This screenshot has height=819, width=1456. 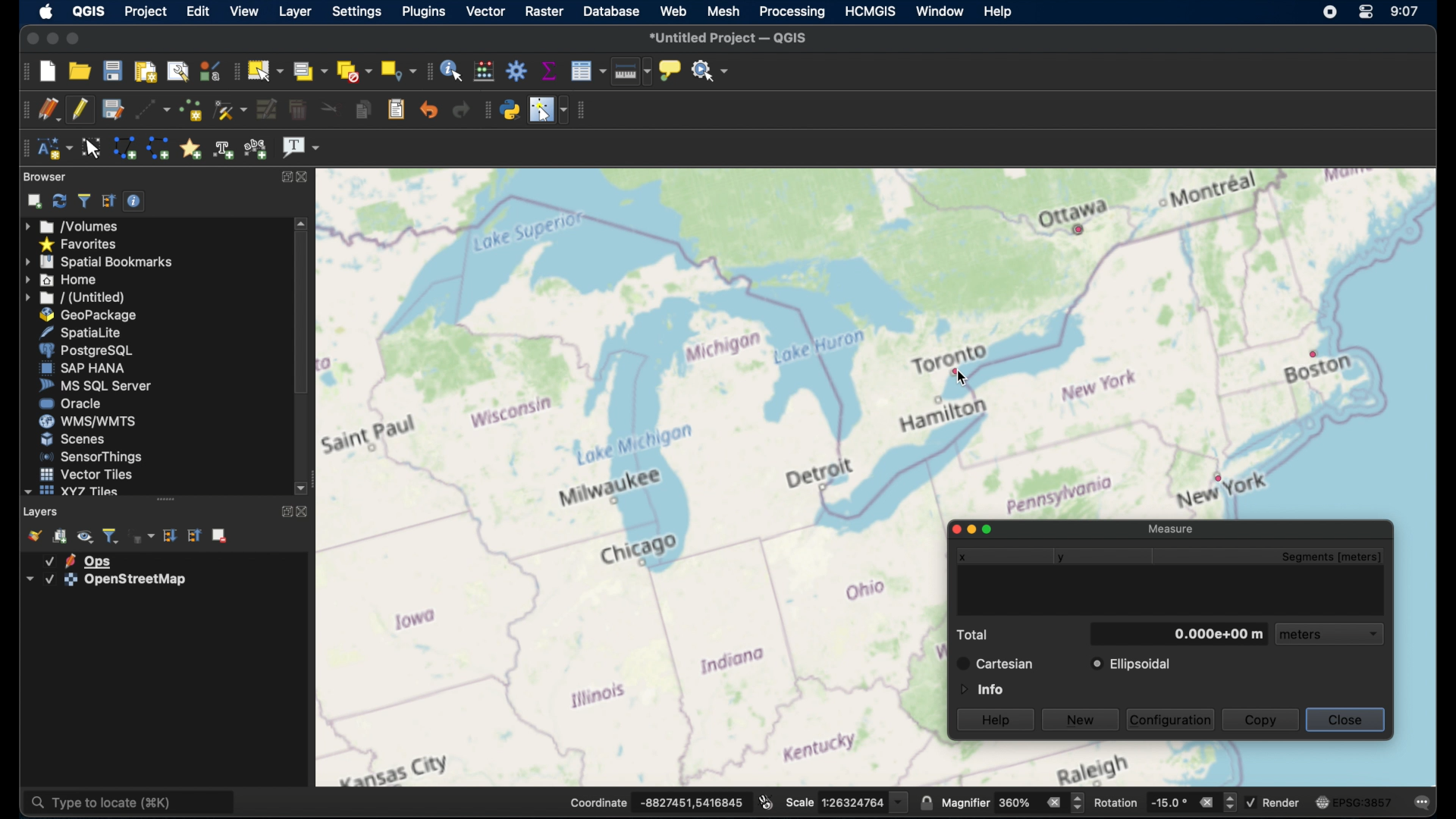 What do you see at coordinates (1132, 664) in the screenshot?
I see `ellipsoidal` at bounding box center [1132, 664].